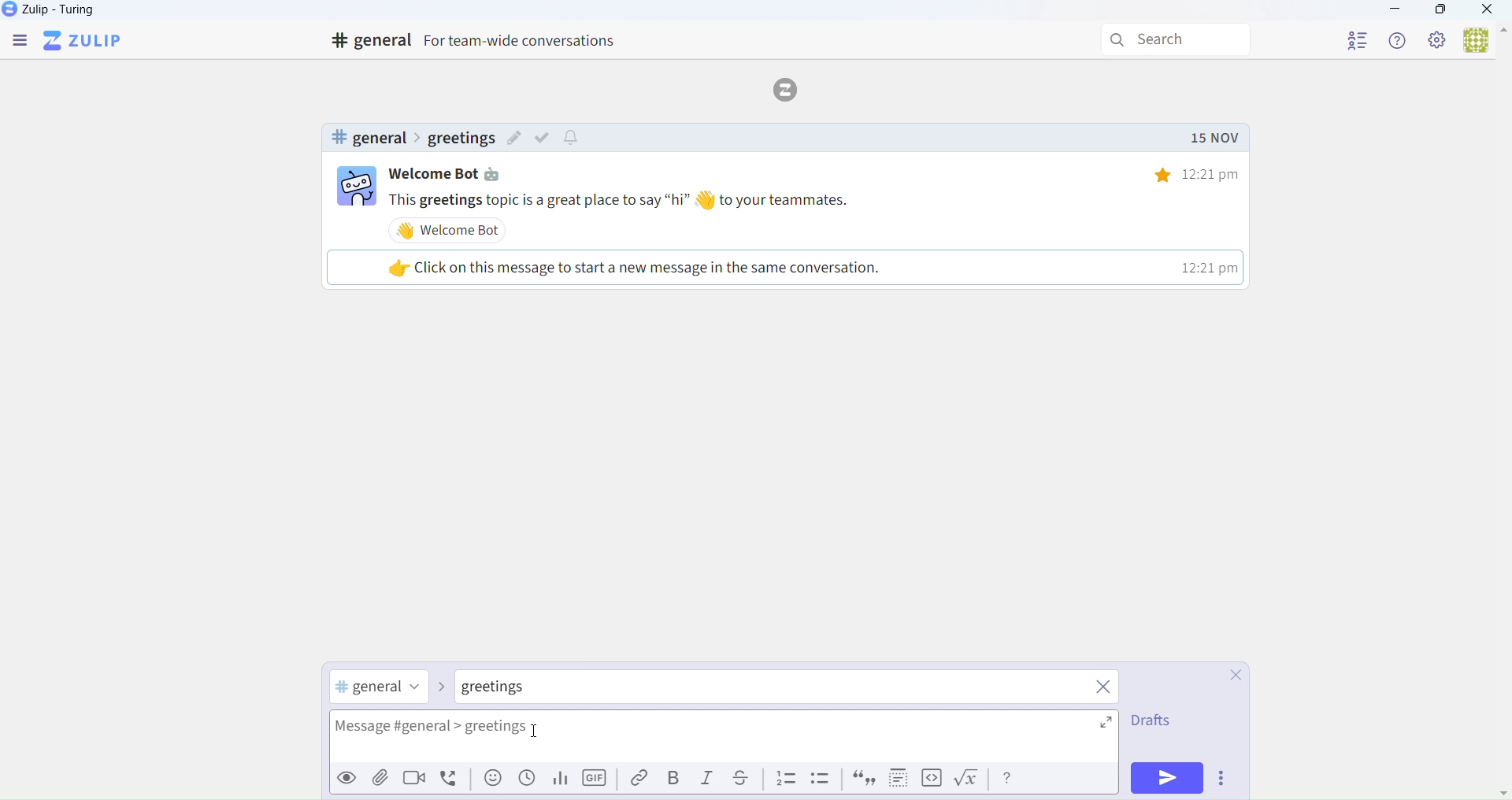  Describe the element at coordinates (822, 781) in the screenshot. I see `Snipet` at that location.